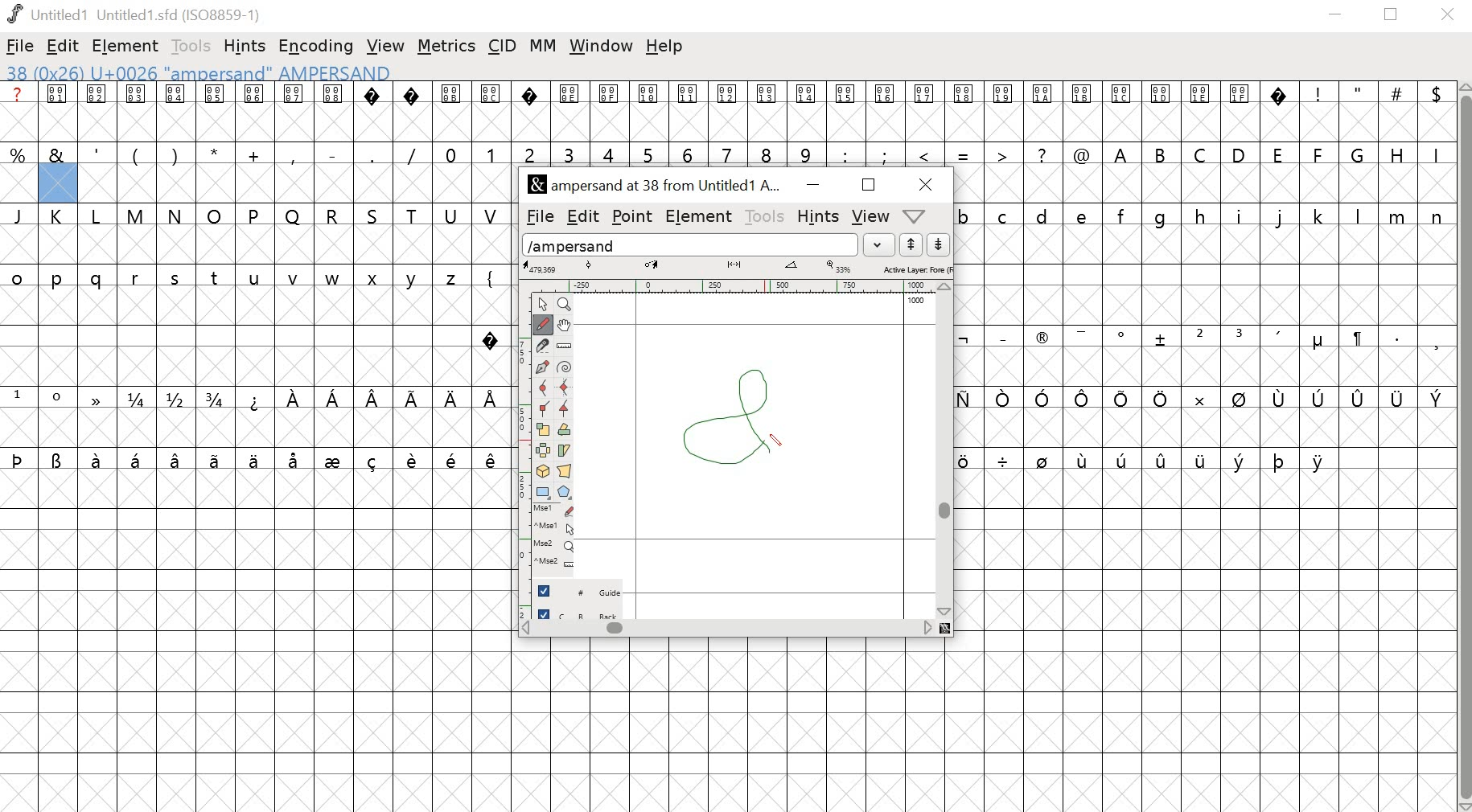  What do you see at coordinates (1279, 153) in the screenshot?
I see `E` at bounding box center [1279, 153].